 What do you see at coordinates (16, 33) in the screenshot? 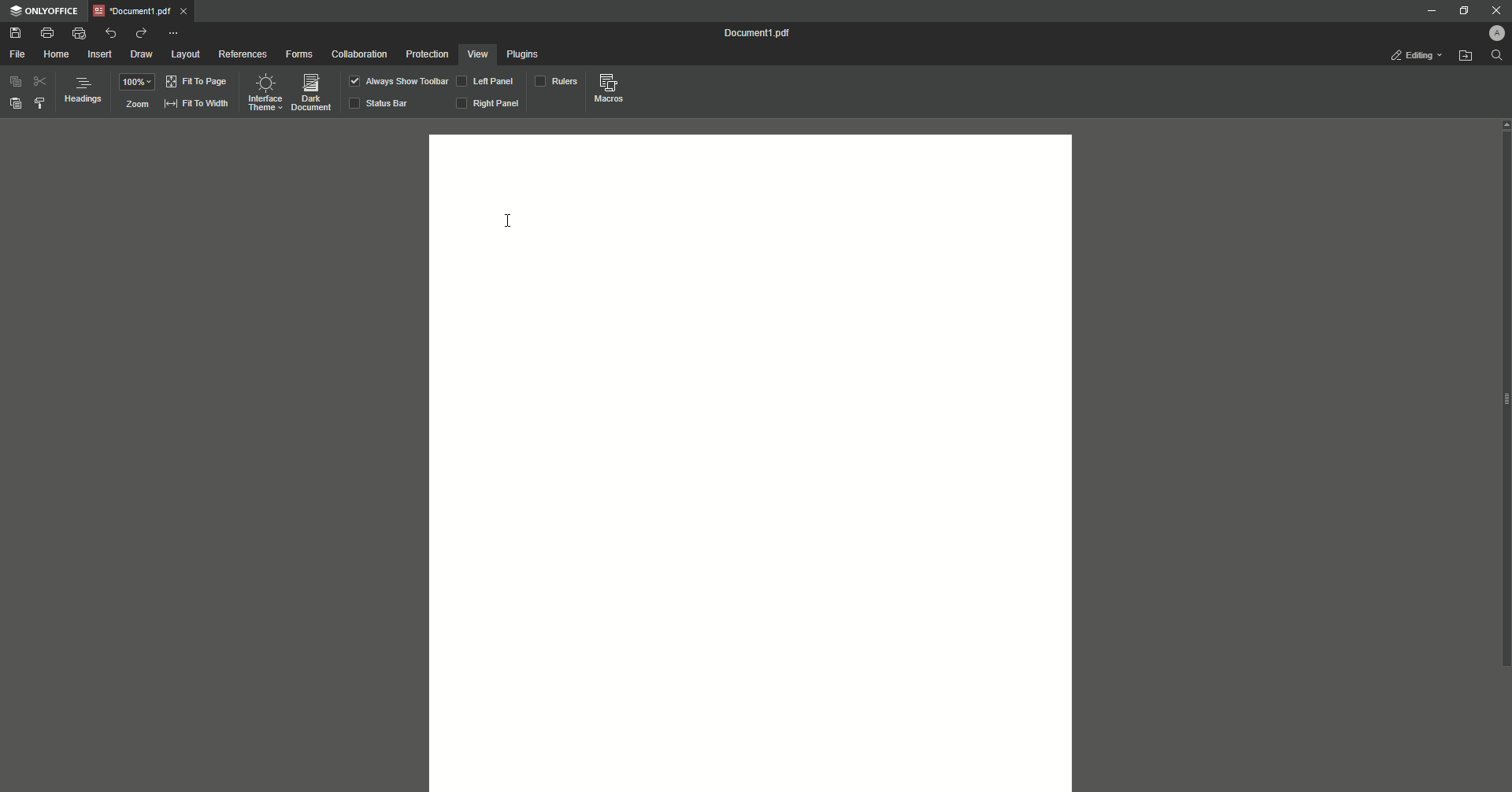
I see `Save` at bounding box center [16, 33].